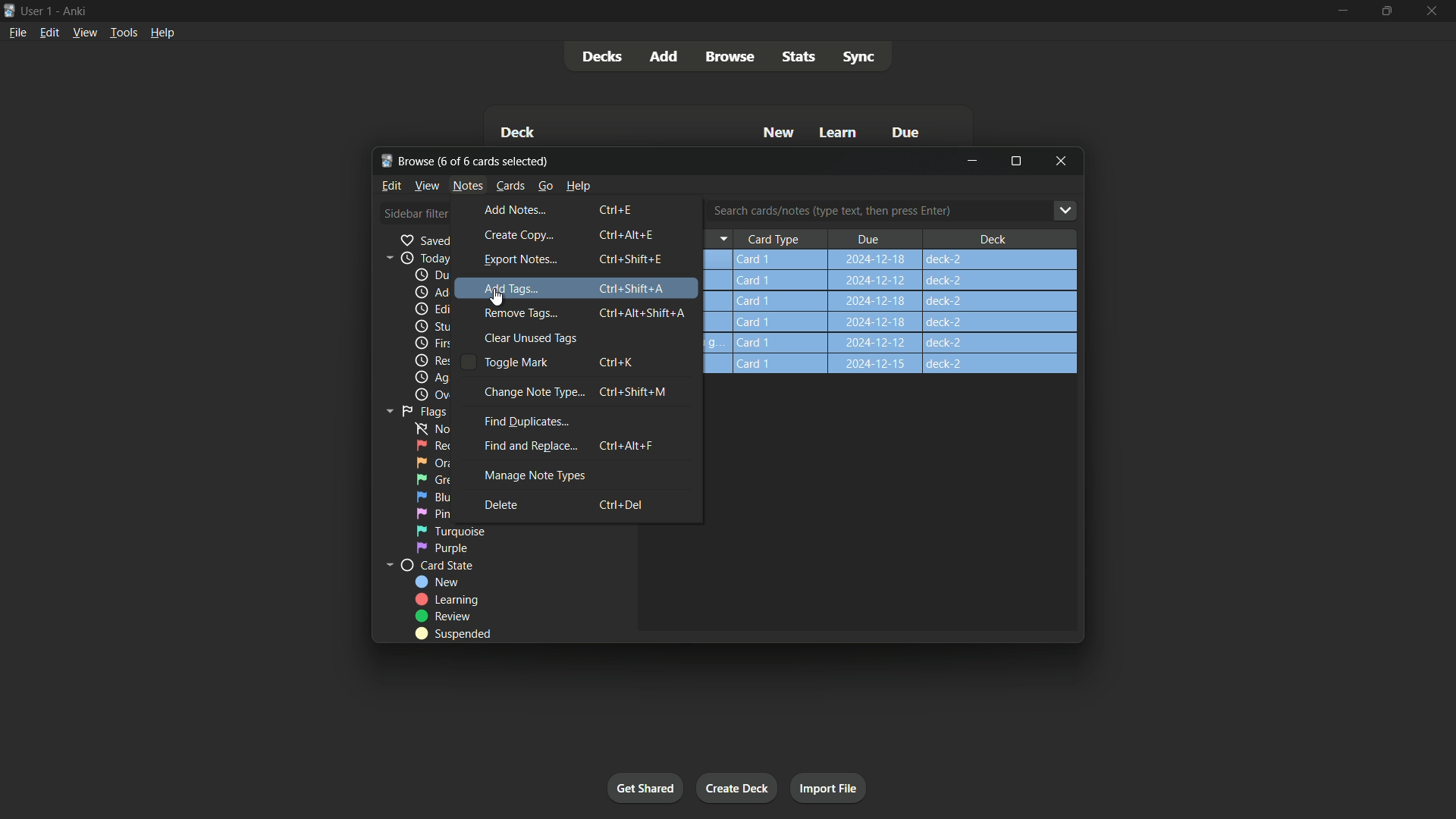 The image size is (1456, 819). I want to click on Ctrl + K, so click(614, 361).